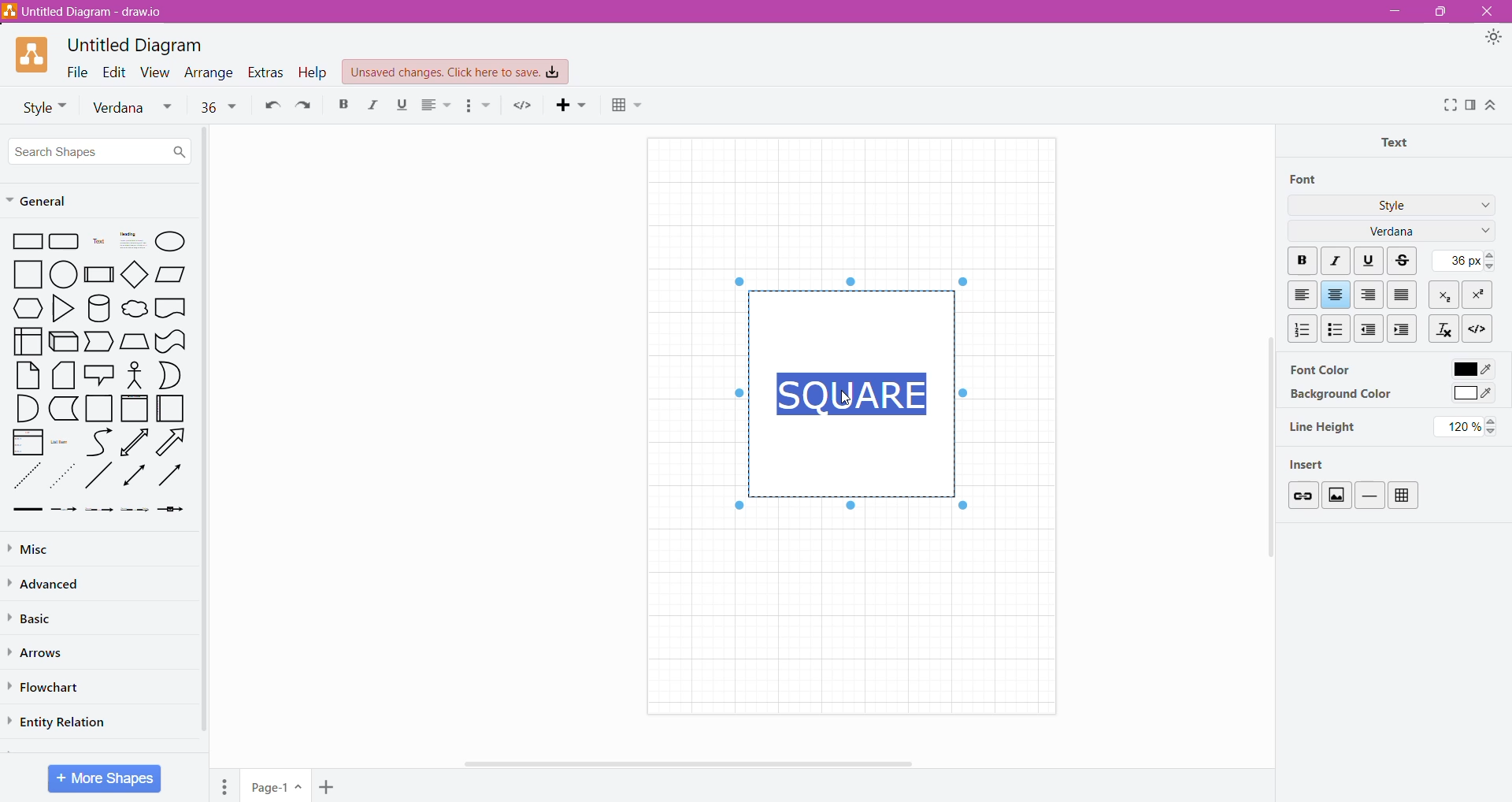 Image resolution: width=1512 pixels, height=802 pixels. Describe the element at coordinates (695, 763) in the screenshot. I see `Horizontal Scroll Bar` at that location.